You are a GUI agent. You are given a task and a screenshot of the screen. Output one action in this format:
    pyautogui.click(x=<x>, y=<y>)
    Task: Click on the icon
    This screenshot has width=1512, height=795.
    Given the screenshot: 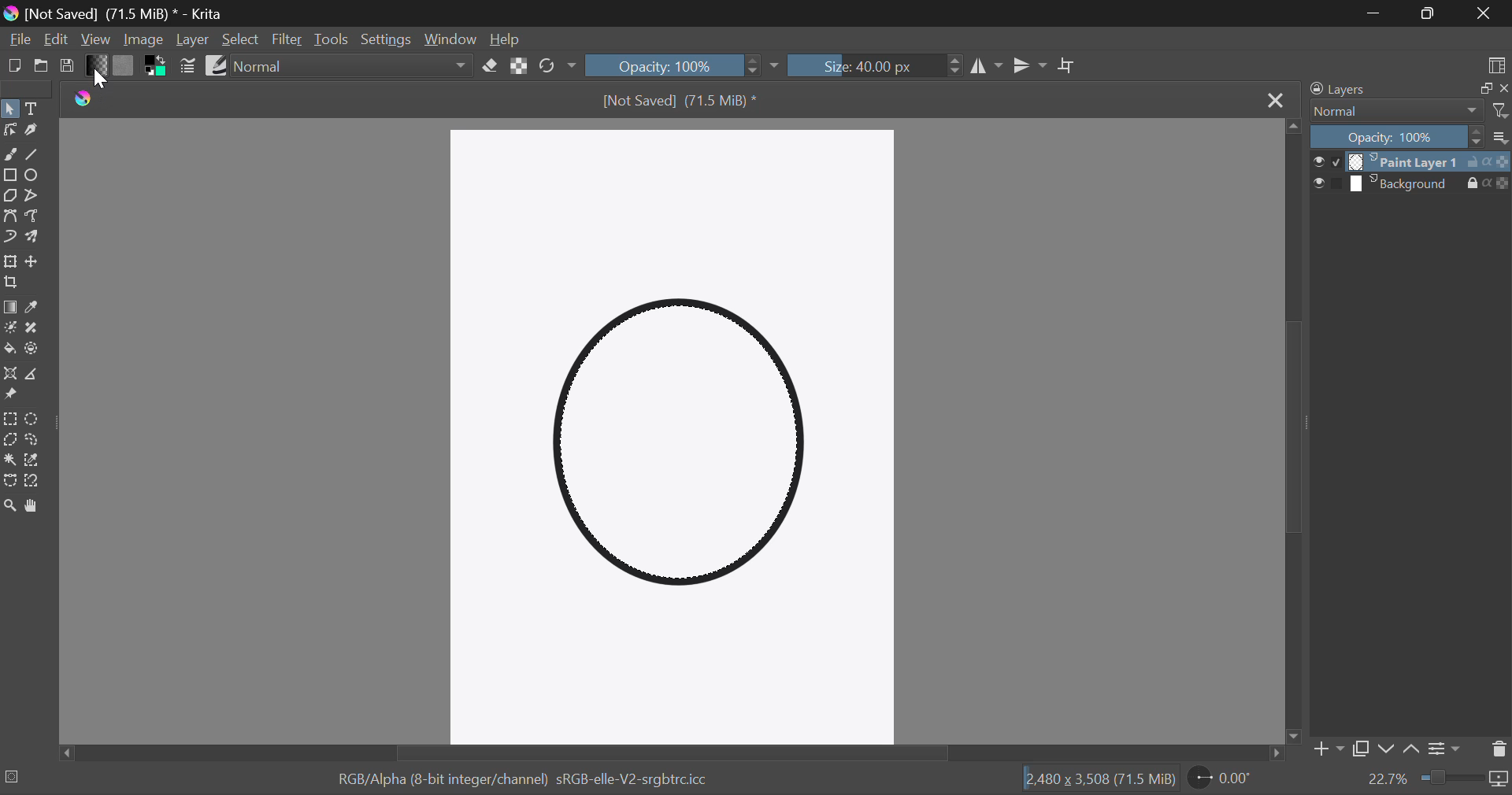 What is the action you would take?
    pyautogui.click(x=1501, y=782)
    